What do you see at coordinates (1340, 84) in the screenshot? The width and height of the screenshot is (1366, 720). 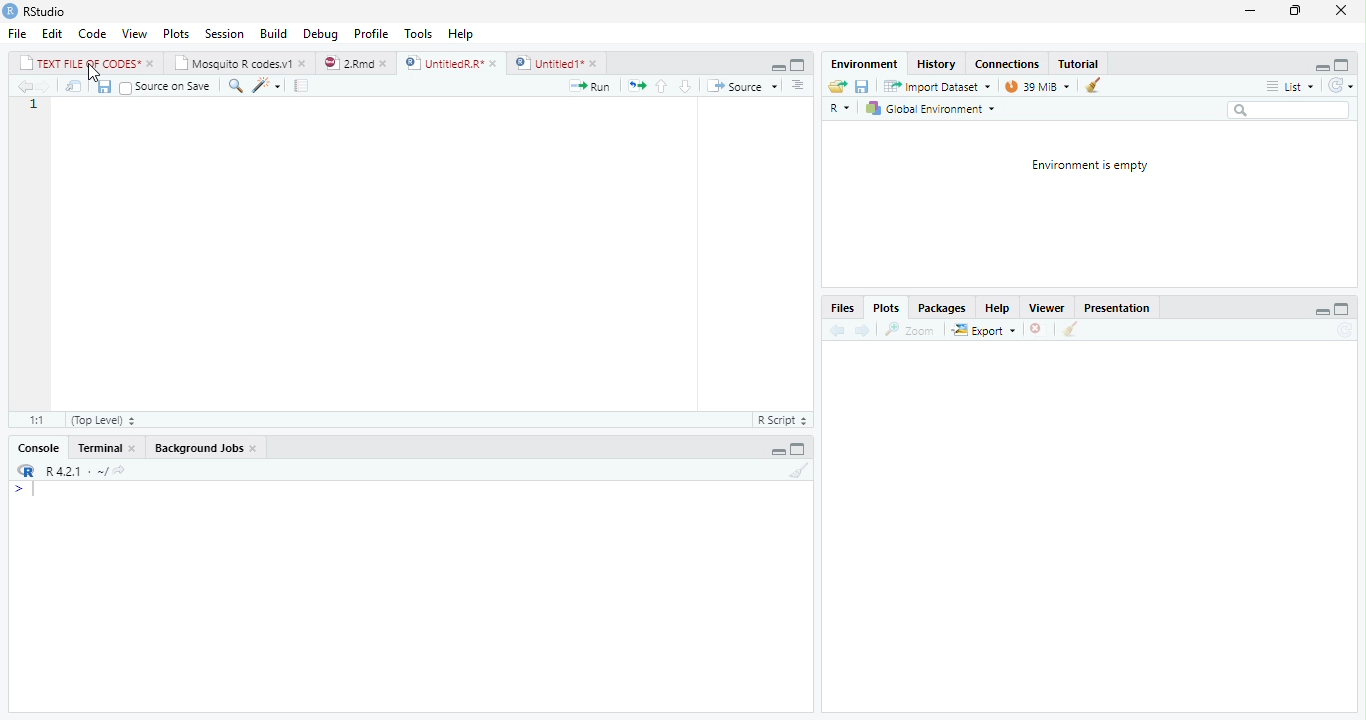 I see `Refresh` at bounding box center [1340, 84].